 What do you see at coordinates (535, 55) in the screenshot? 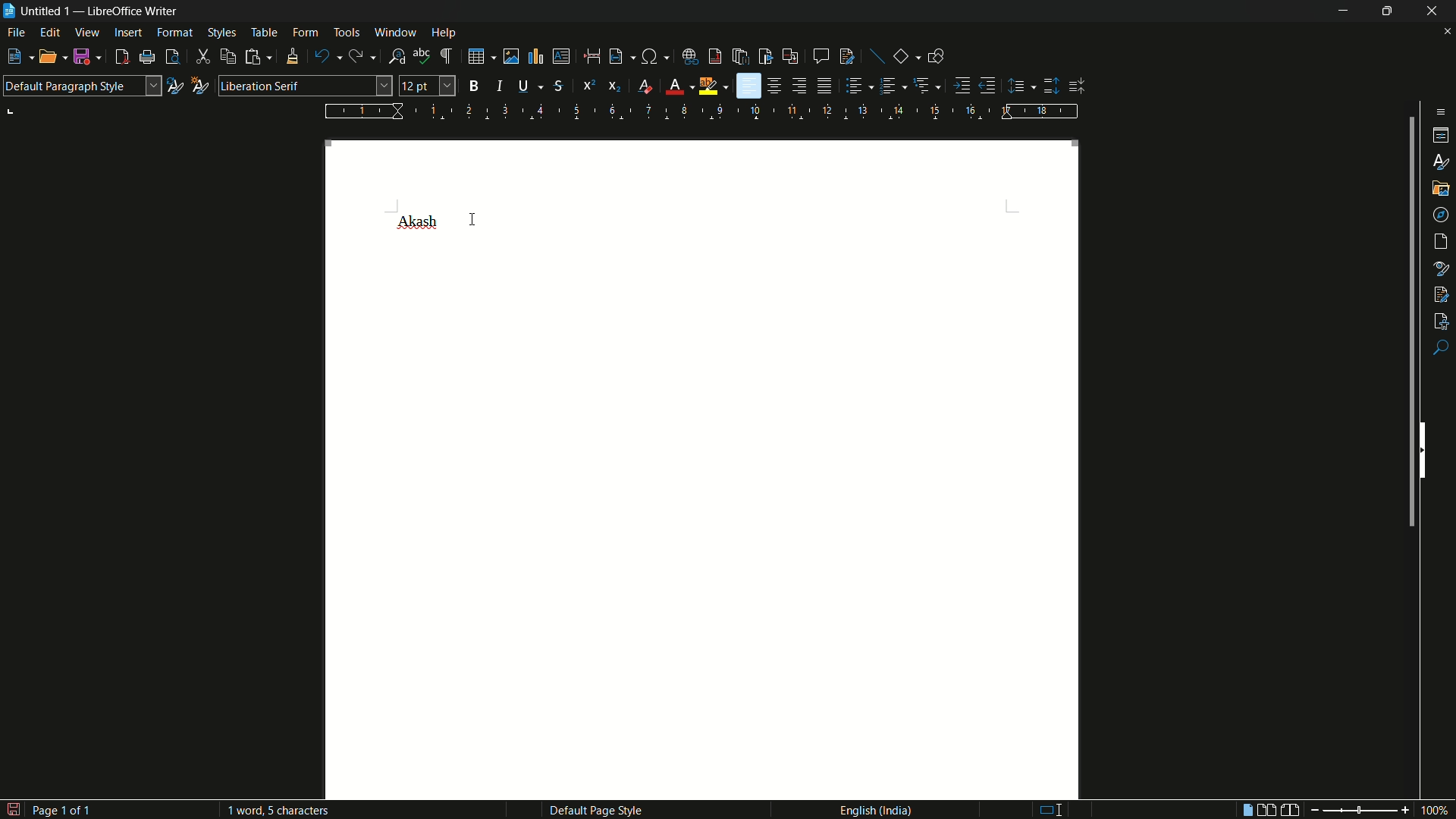
I see `insert chart` at bounding box center [535, 55].